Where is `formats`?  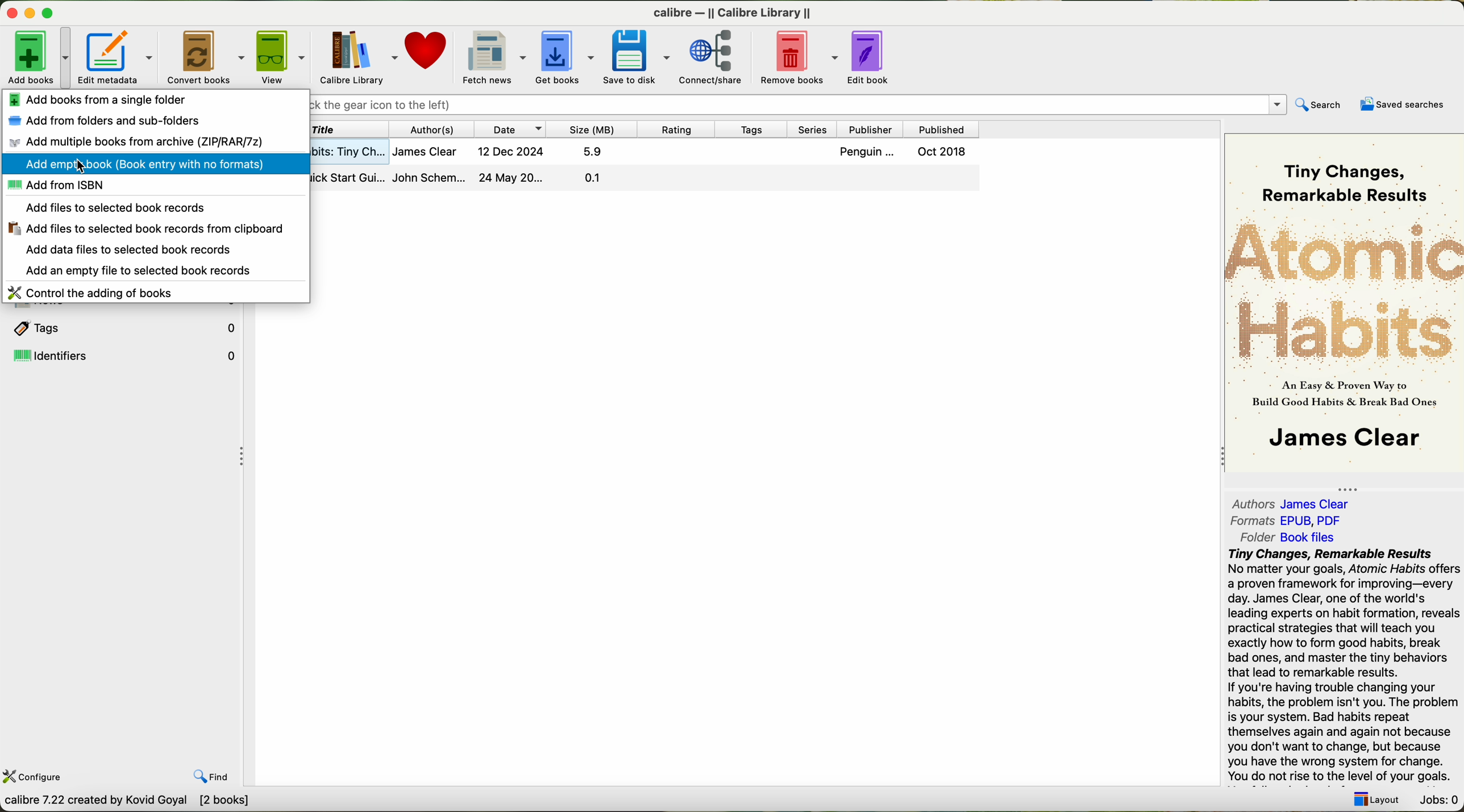 formats is located at coordinates (1287, 520).